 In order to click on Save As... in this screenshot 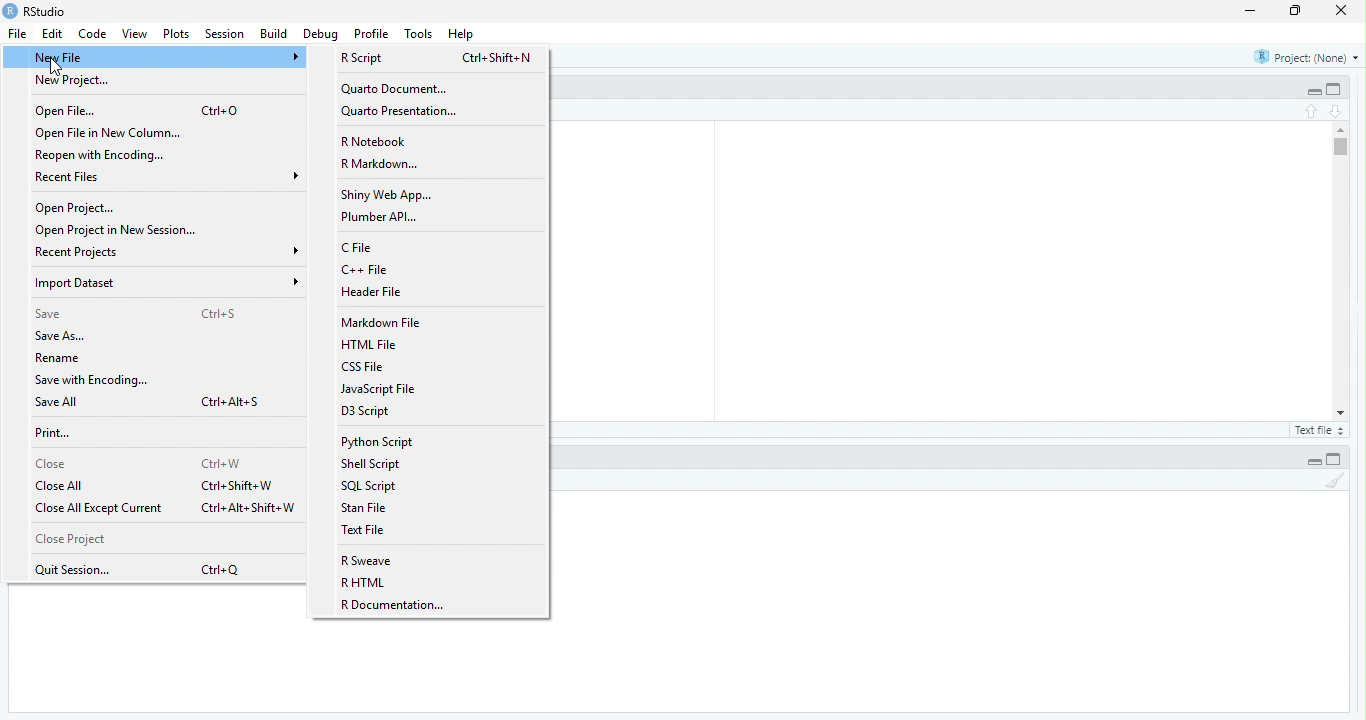, I will do `click(63, 336)`.